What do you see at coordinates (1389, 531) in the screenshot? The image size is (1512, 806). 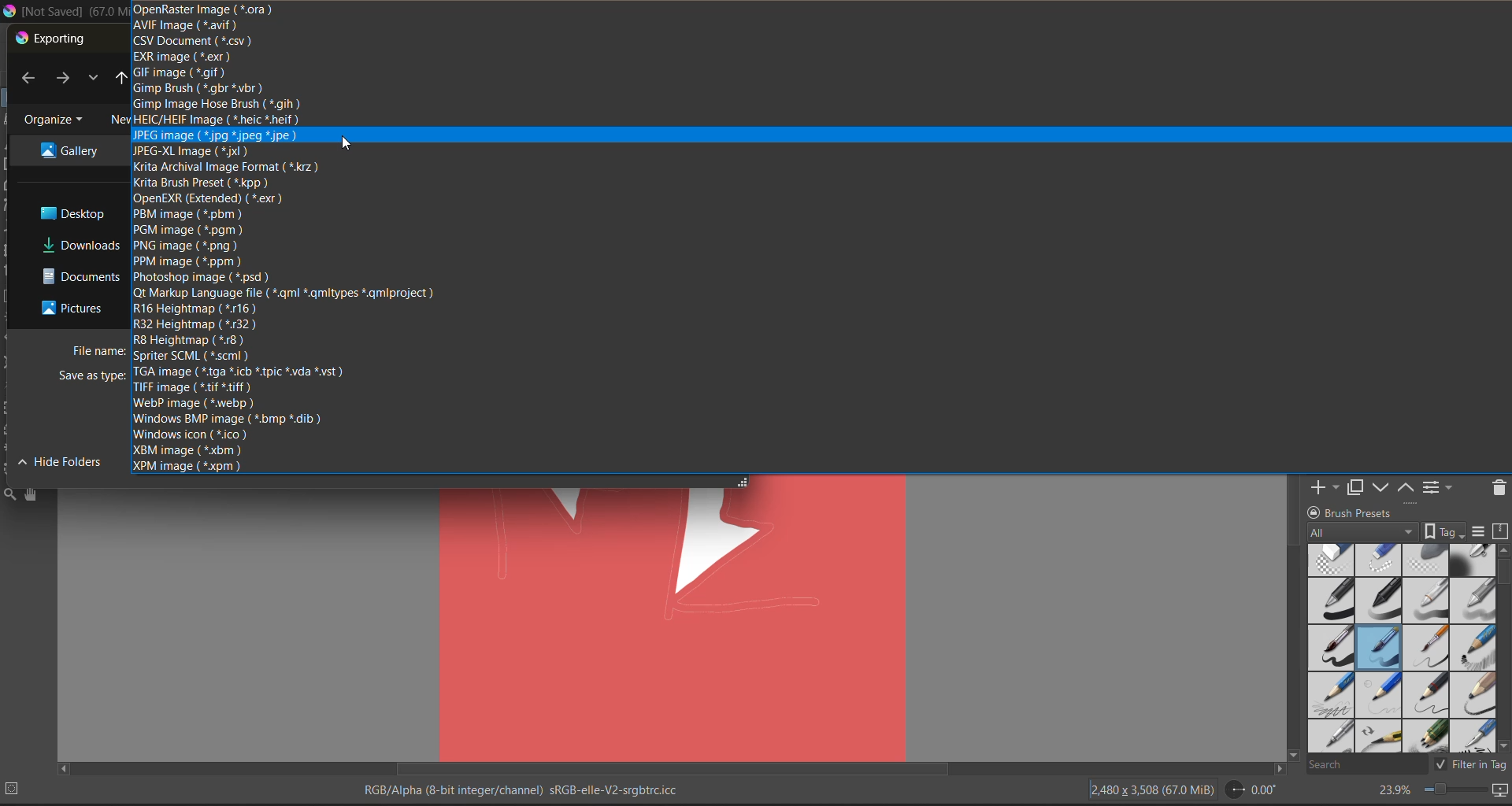 I see `tag` at bounding box center [1389, 531].